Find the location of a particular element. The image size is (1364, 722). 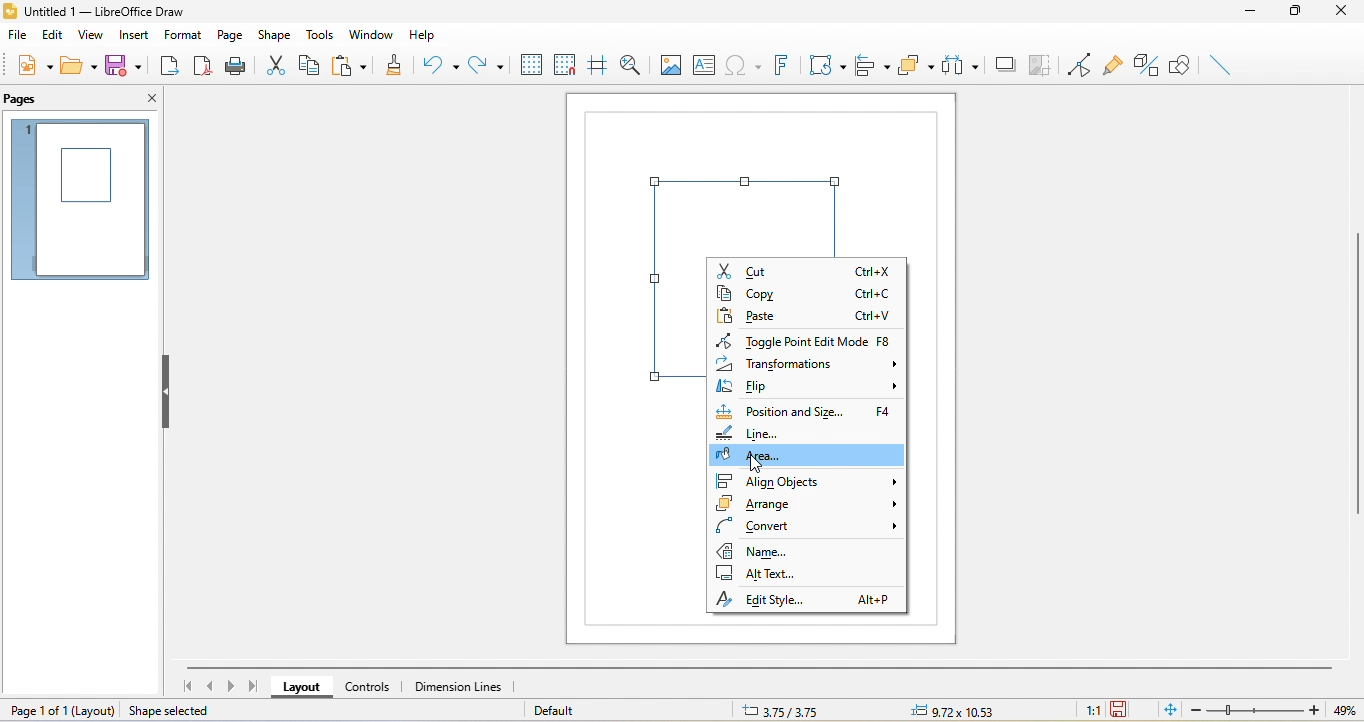

dimension lines is located at coordinates (463, 686).